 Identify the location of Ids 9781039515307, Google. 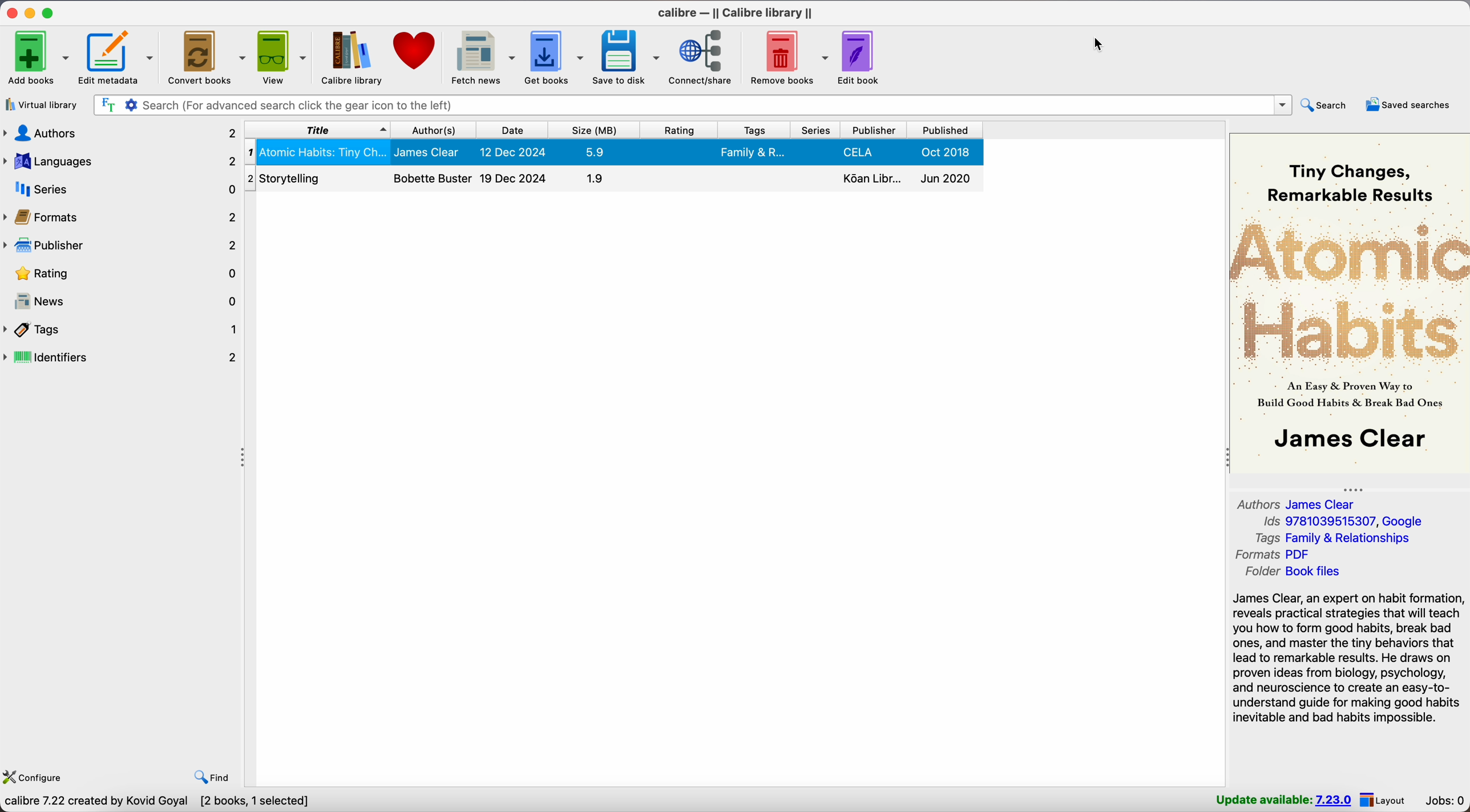
(1346, 522).